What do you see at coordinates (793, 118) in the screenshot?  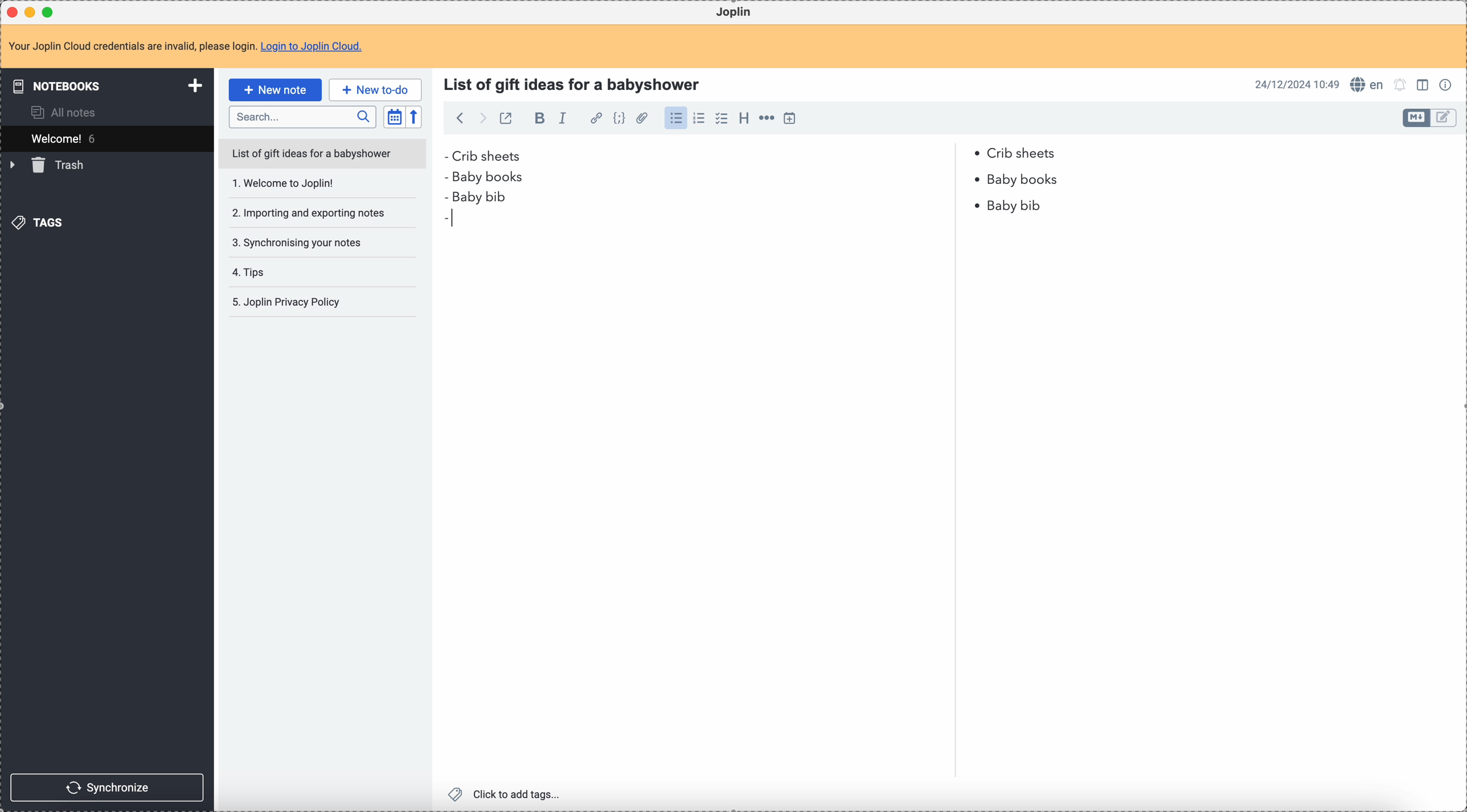 I see `insert time` at bounding box center [793, 118].